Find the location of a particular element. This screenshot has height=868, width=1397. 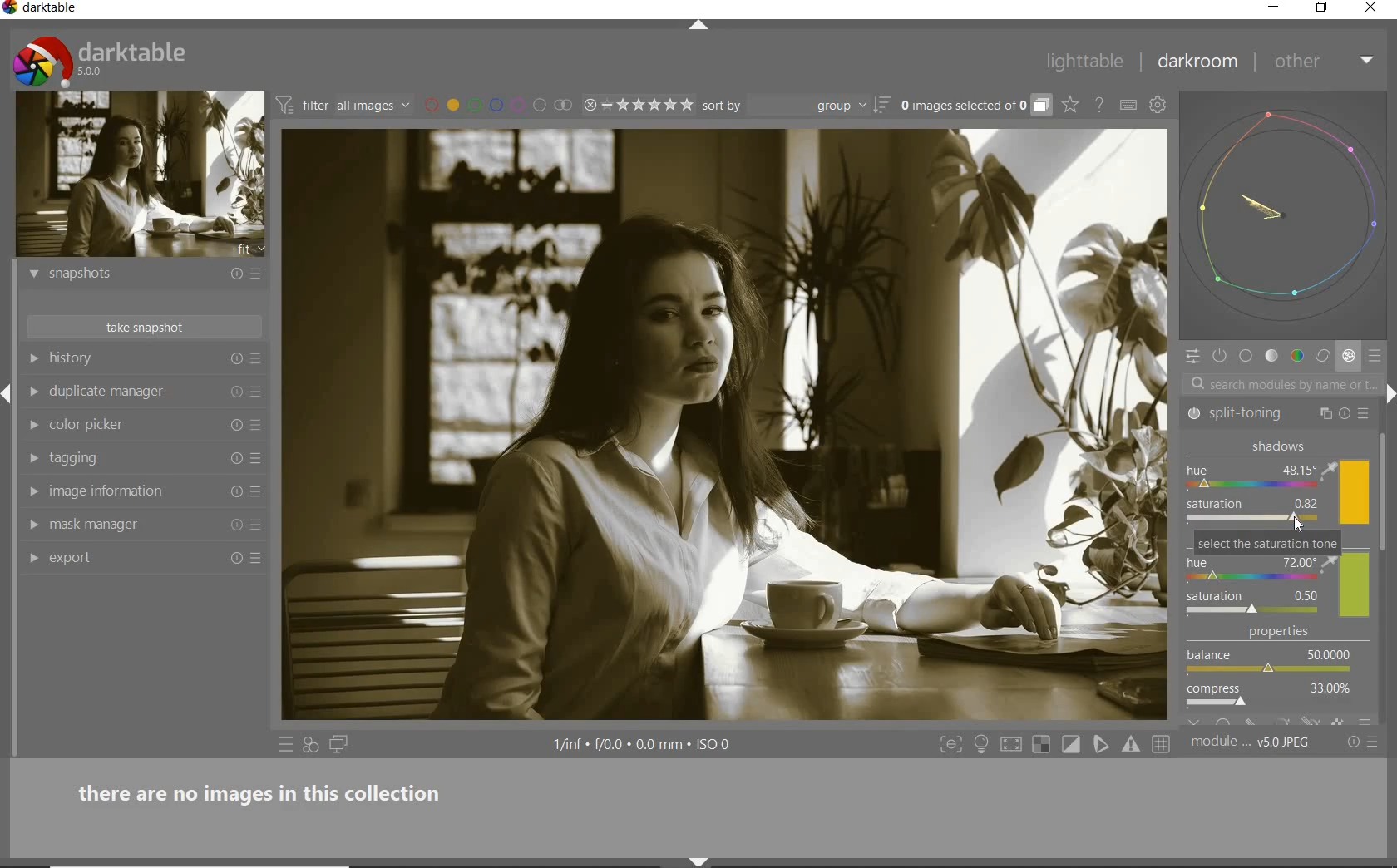

preset and preferences is located at coordinates (257, 492).